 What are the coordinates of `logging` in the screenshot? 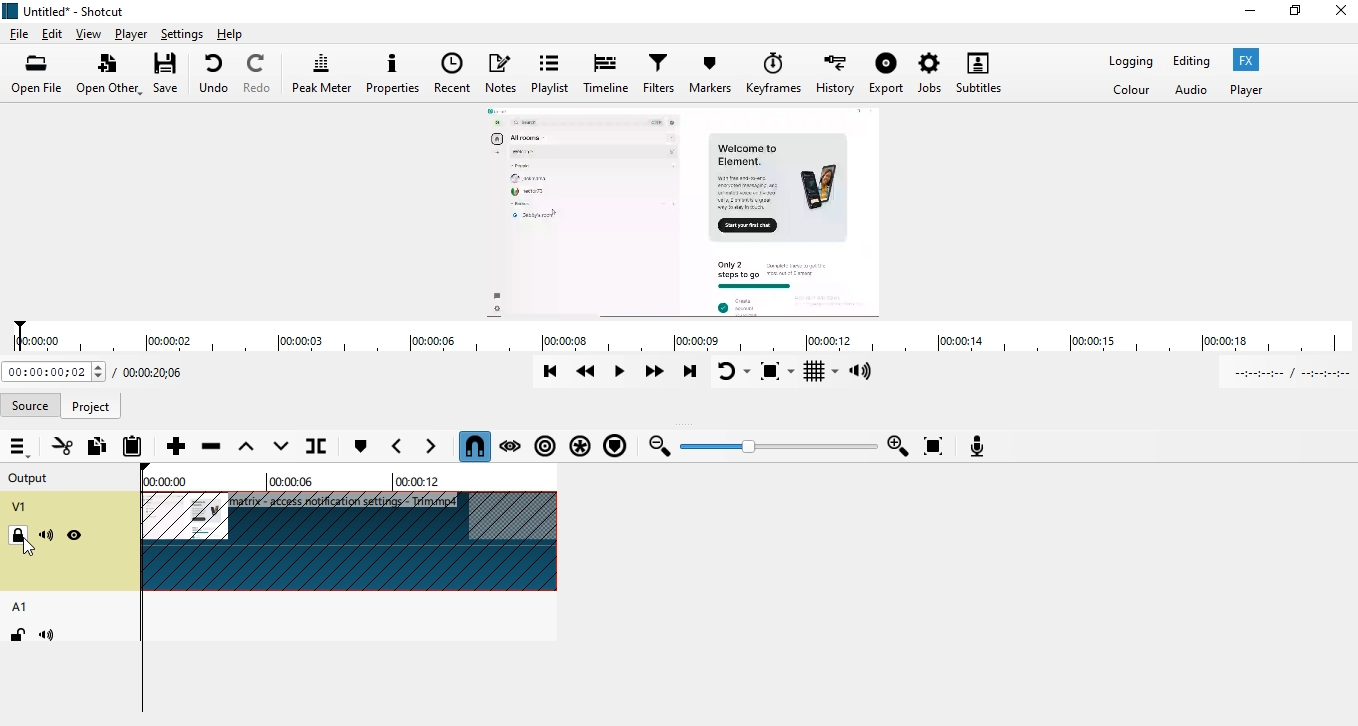 It's located at (1131, 60).